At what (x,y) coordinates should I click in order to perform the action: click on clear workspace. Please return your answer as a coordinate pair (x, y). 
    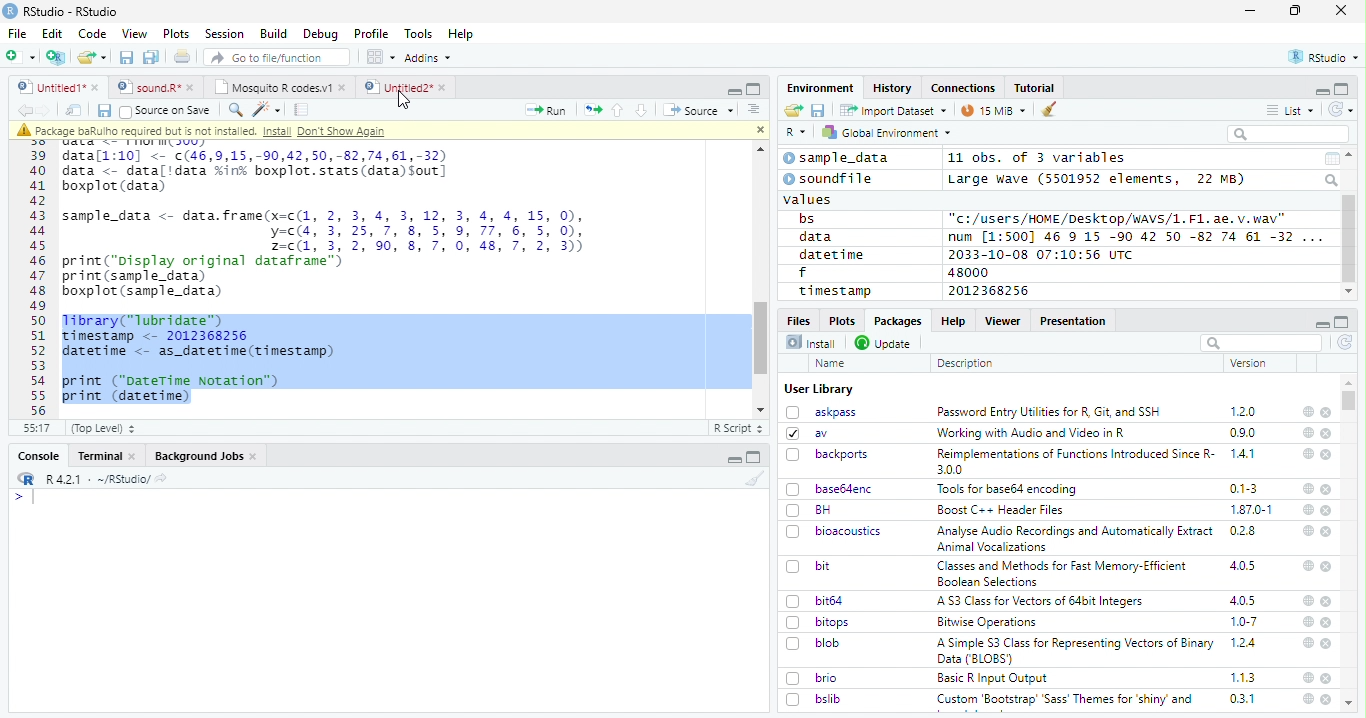
    Looking at the image, I should click on (1050, 110).